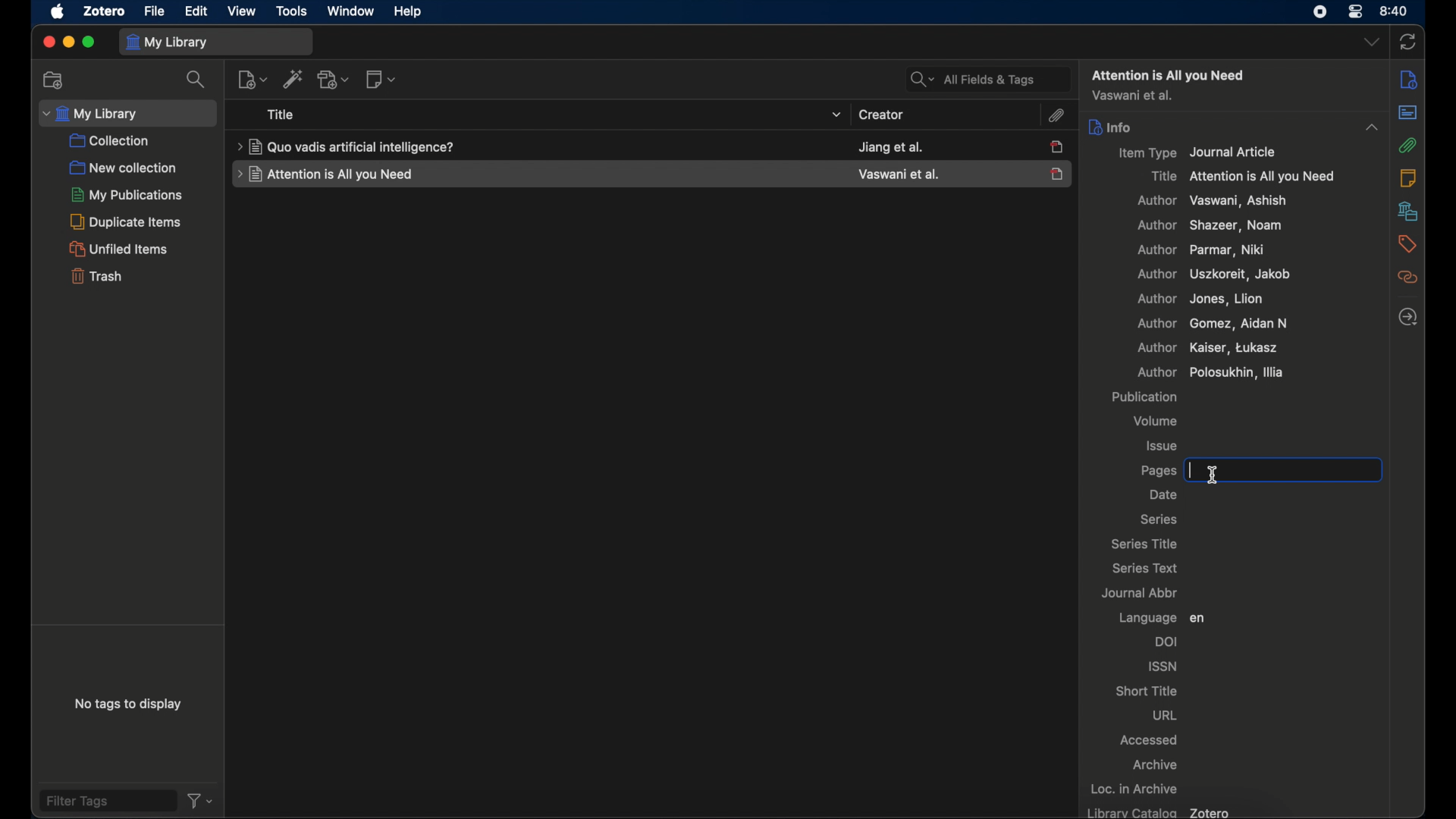 The width and height of the screenshot is (1456, 819). I want to click on date, so click(1164, 495).